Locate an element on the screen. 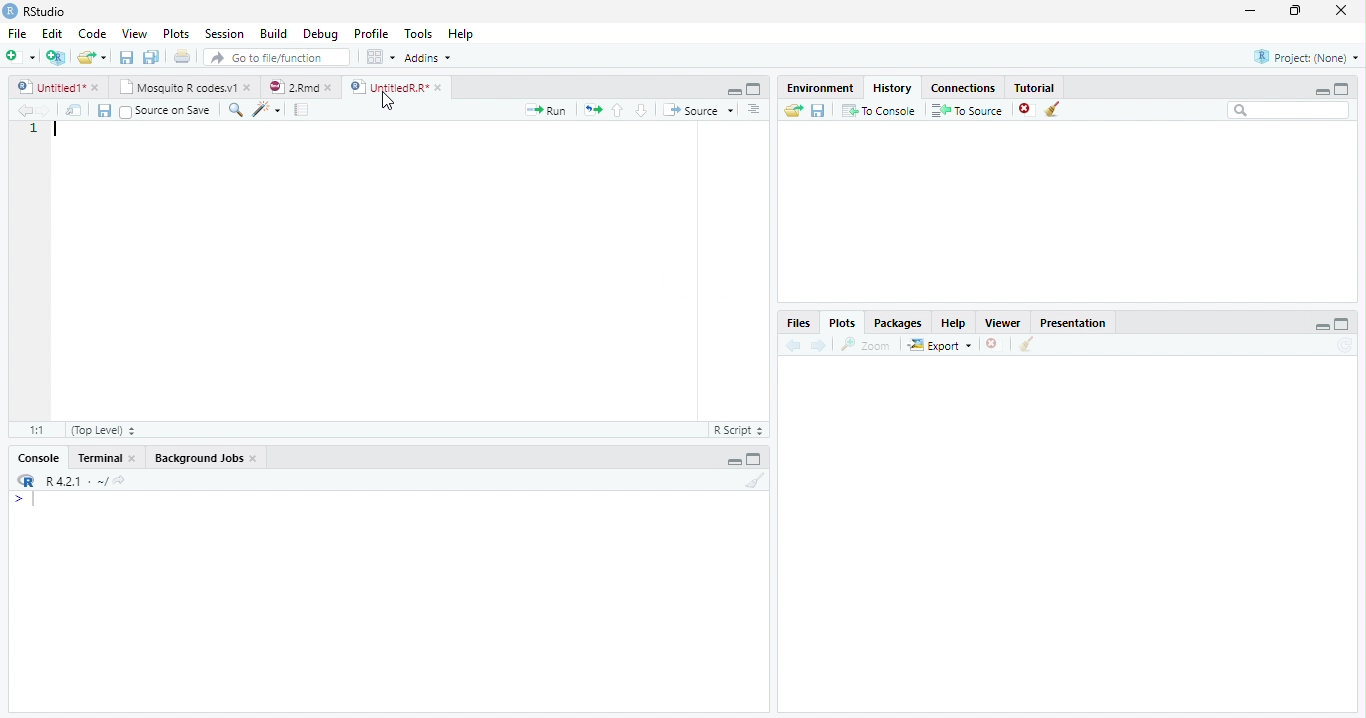  close is located at coordinates (95, 88).